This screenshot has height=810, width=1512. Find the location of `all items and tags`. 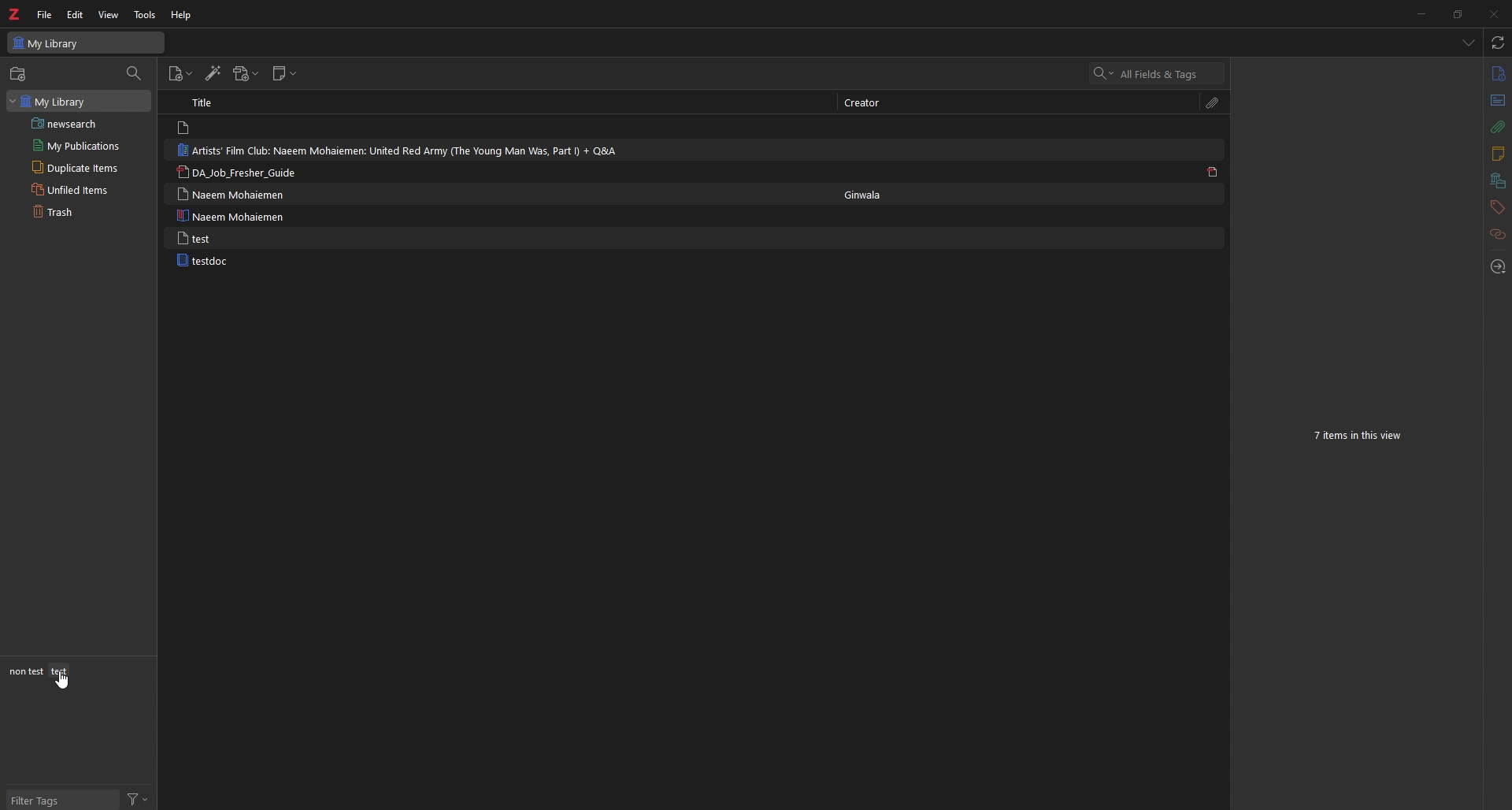

all items and tags is located at coordinates (1158, 73).